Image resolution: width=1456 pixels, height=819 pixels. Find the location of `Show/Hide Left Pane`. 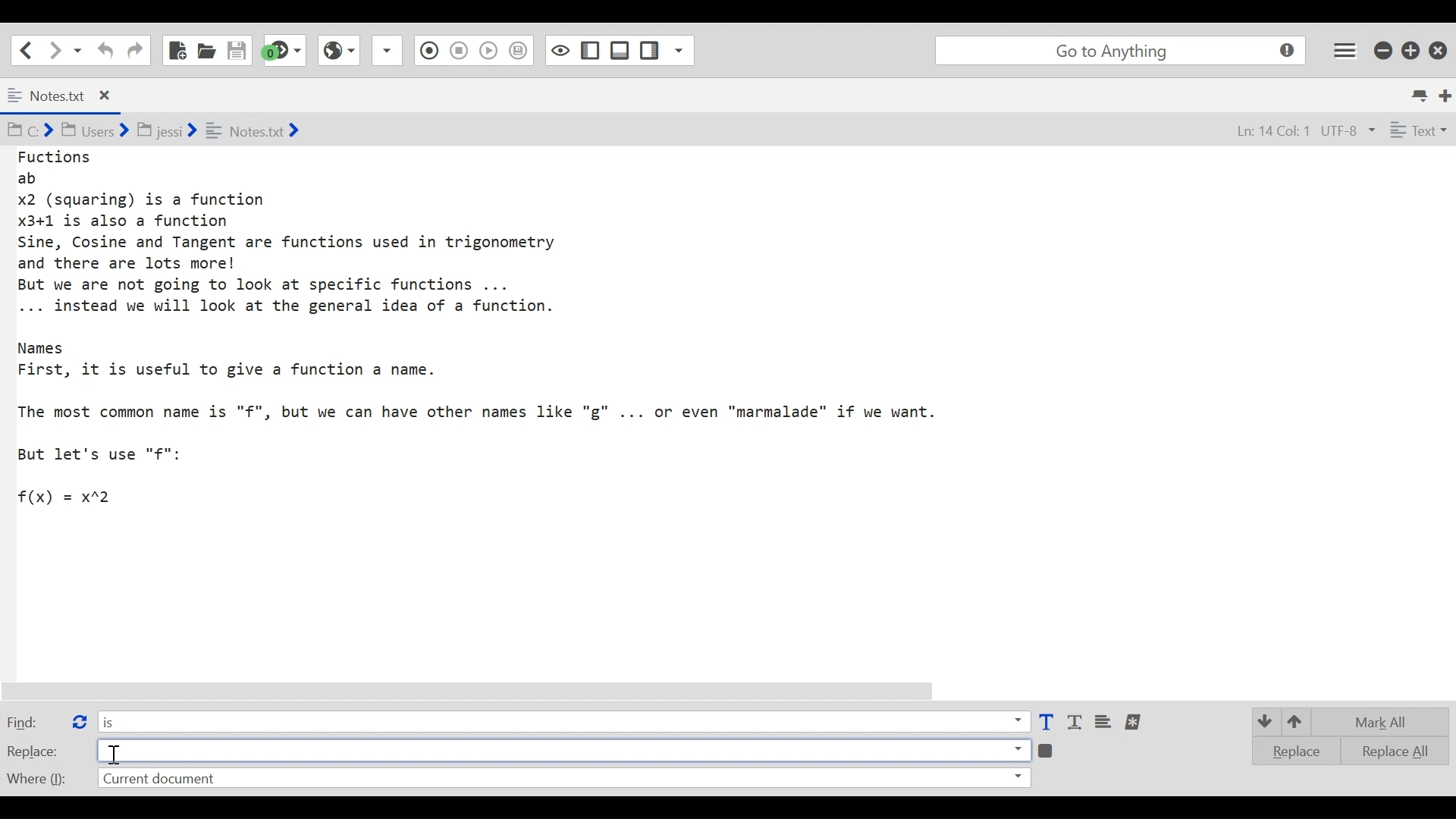

Show/Hide Left Pane is located at coordinates (620, 50).